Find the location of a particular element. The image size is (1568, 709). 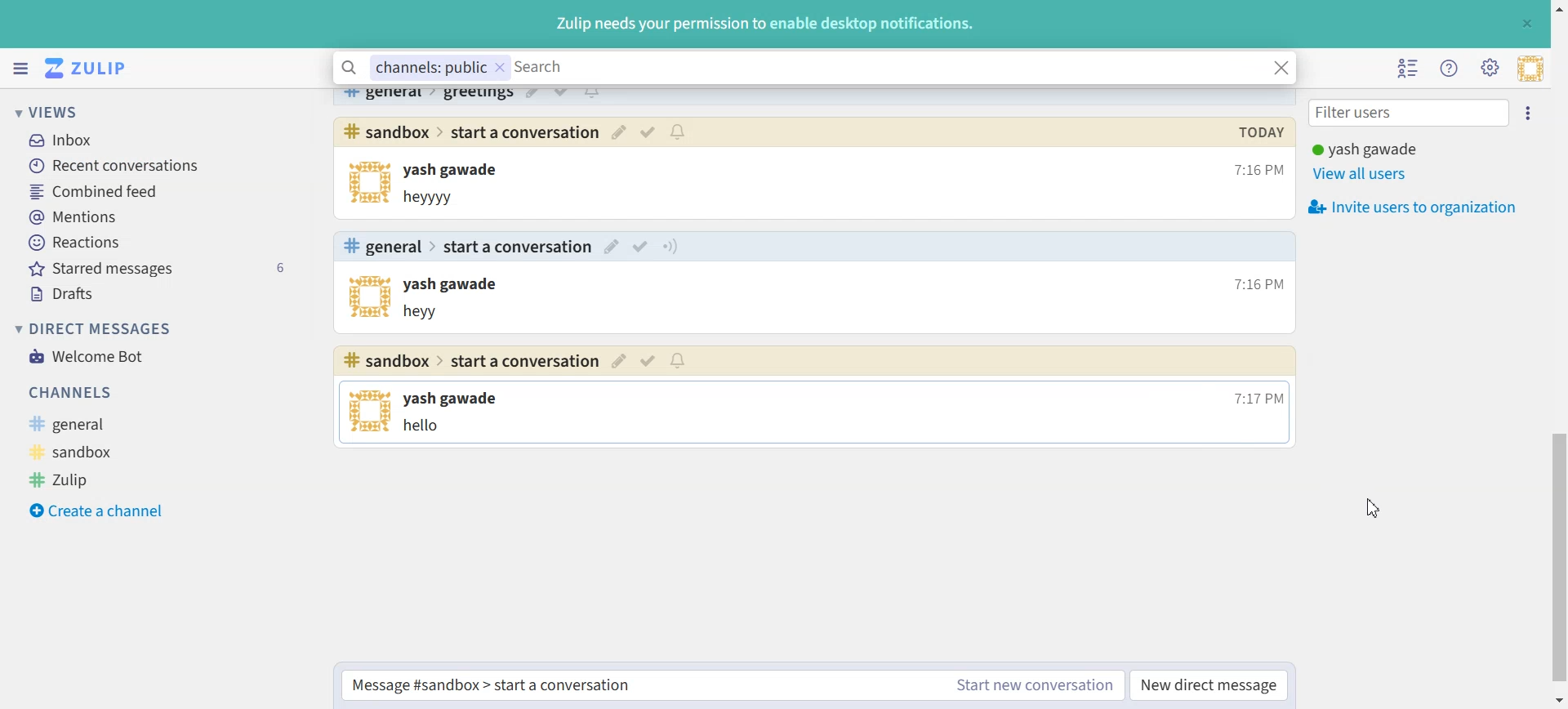

Welcome Bot is located at coordinates (87, 355).